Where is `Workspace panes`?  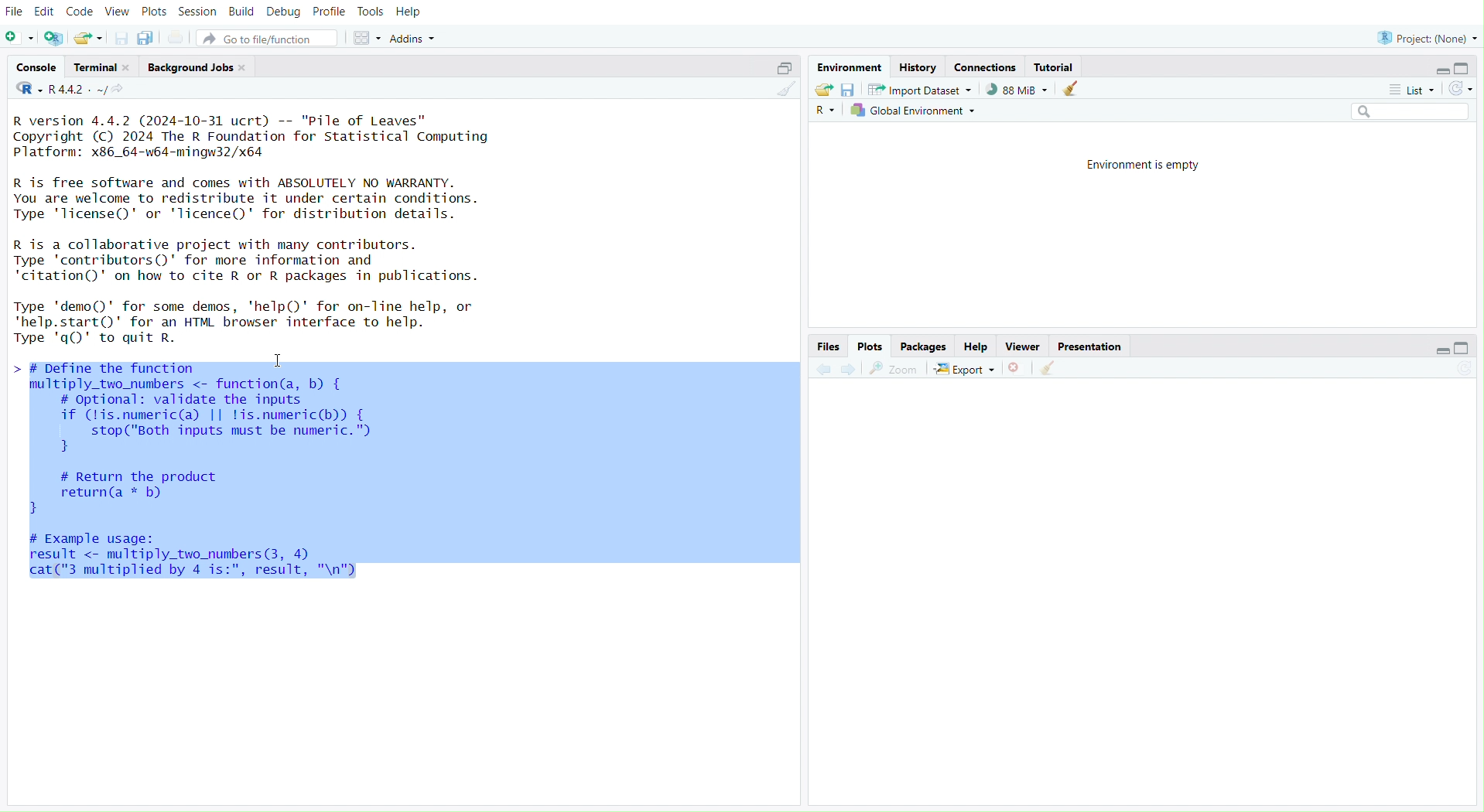
Workspace panes is located at coordinates (364, 39).